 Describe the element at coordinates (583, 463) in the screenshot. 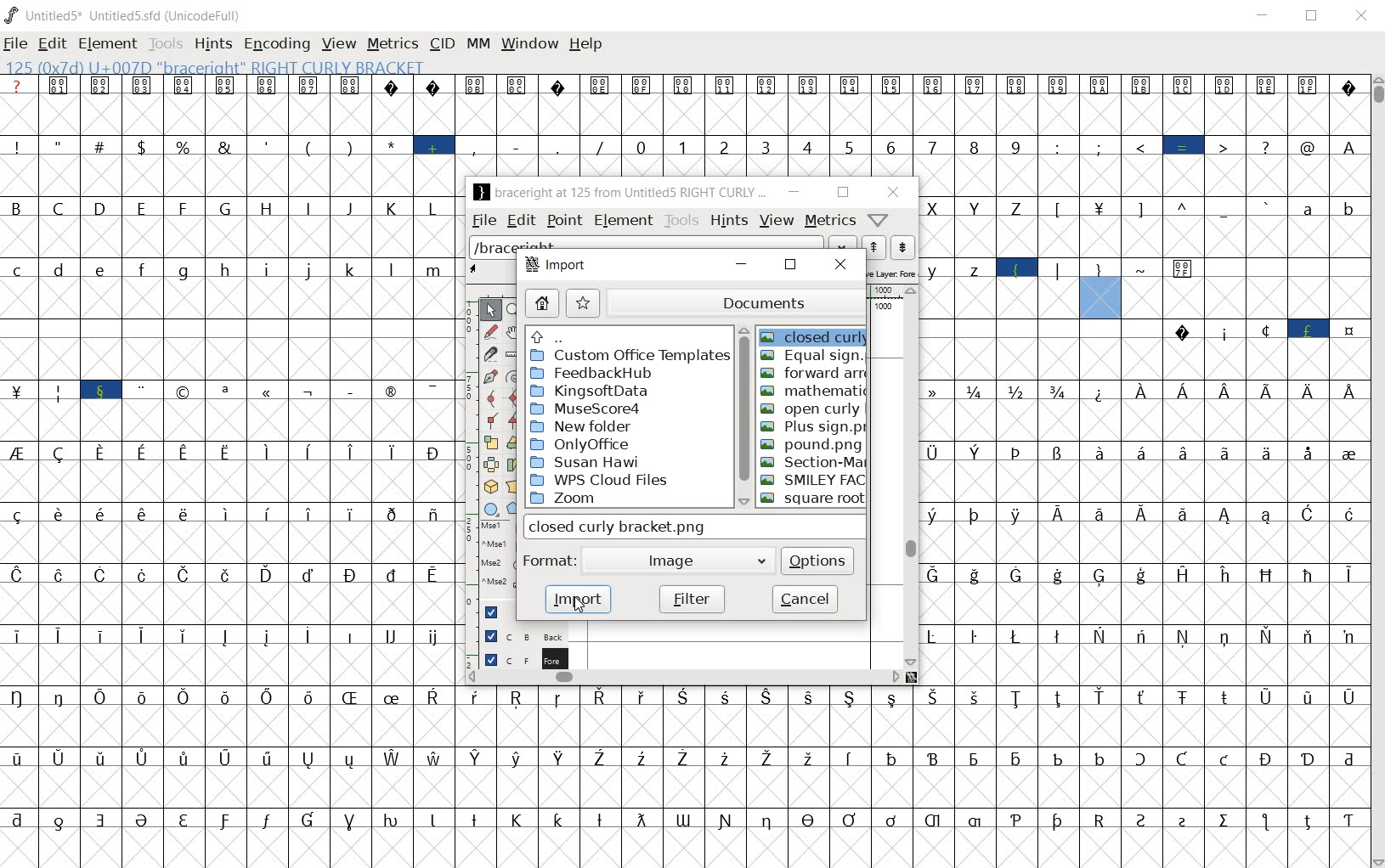

I see `Susan Hawi` at that location.